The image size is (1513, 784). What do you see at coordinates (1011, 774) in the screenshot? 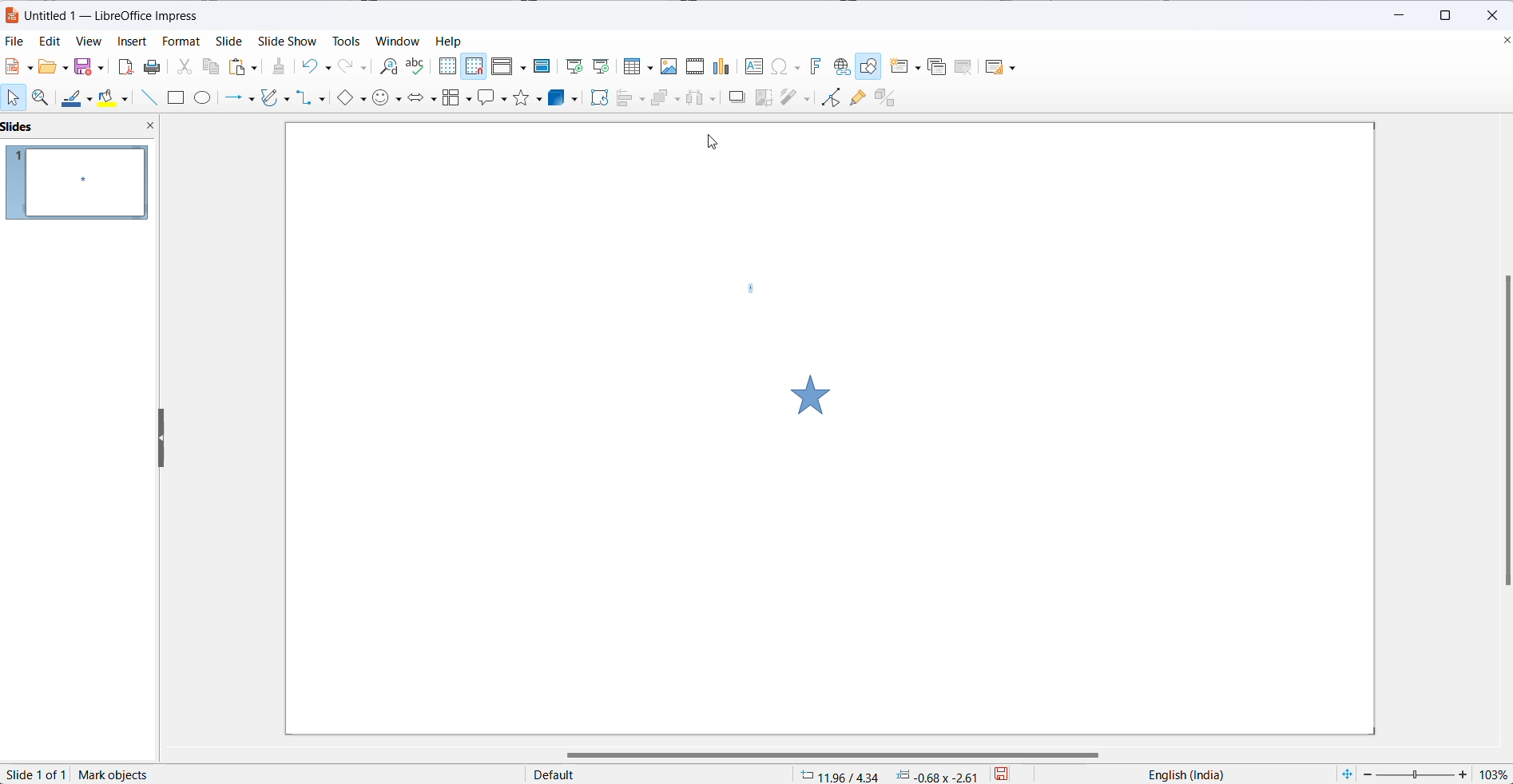
I see `save button` at bounding box center [1011, 774].